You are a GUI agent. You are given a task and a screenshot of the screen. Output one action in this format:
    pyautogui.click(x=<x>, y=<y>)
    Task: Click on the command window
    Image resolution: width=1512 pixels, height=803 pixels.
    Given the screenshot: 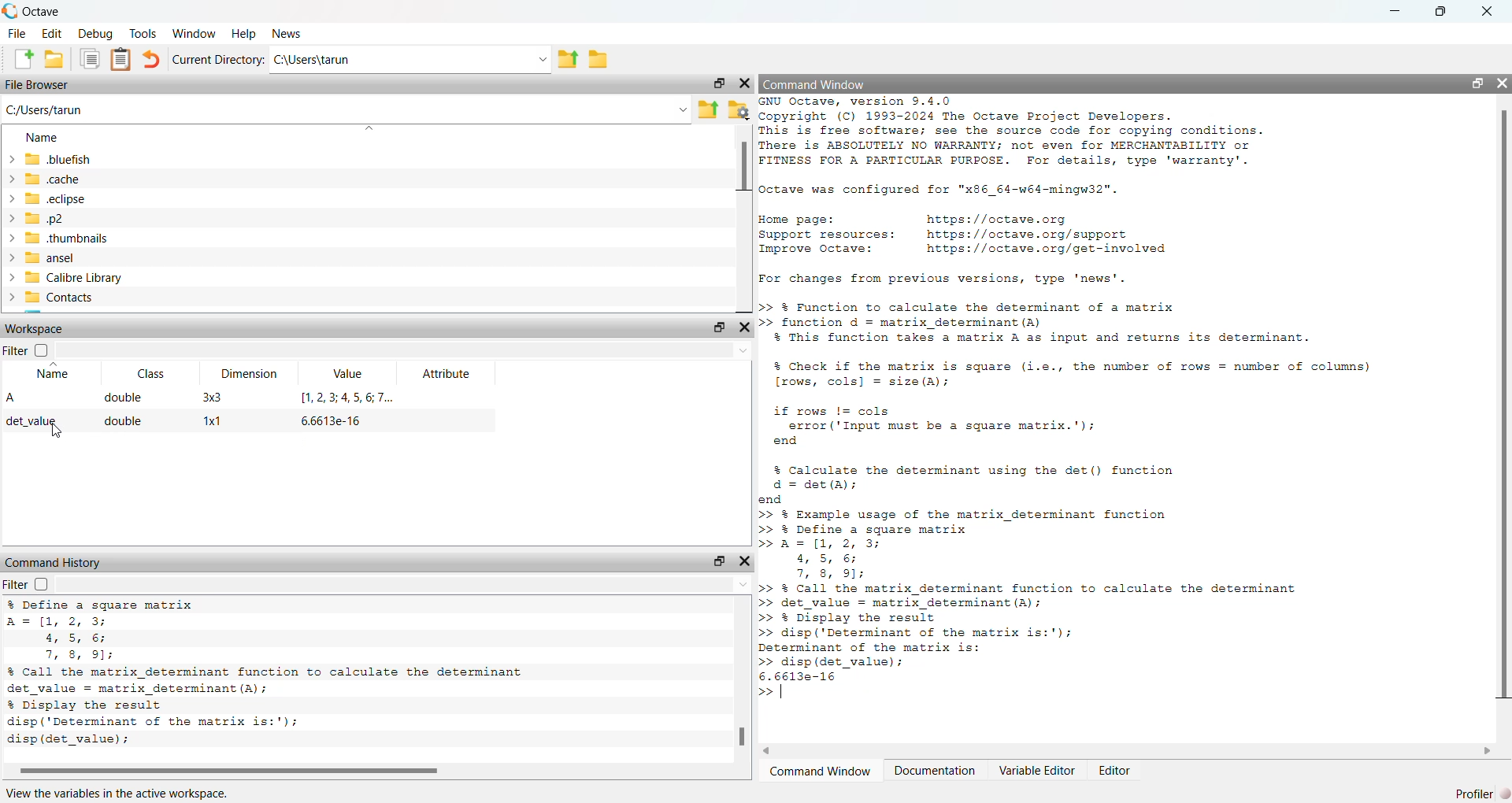 What is the action you would take?
    pyautogui.click(x=816, y=86)
    